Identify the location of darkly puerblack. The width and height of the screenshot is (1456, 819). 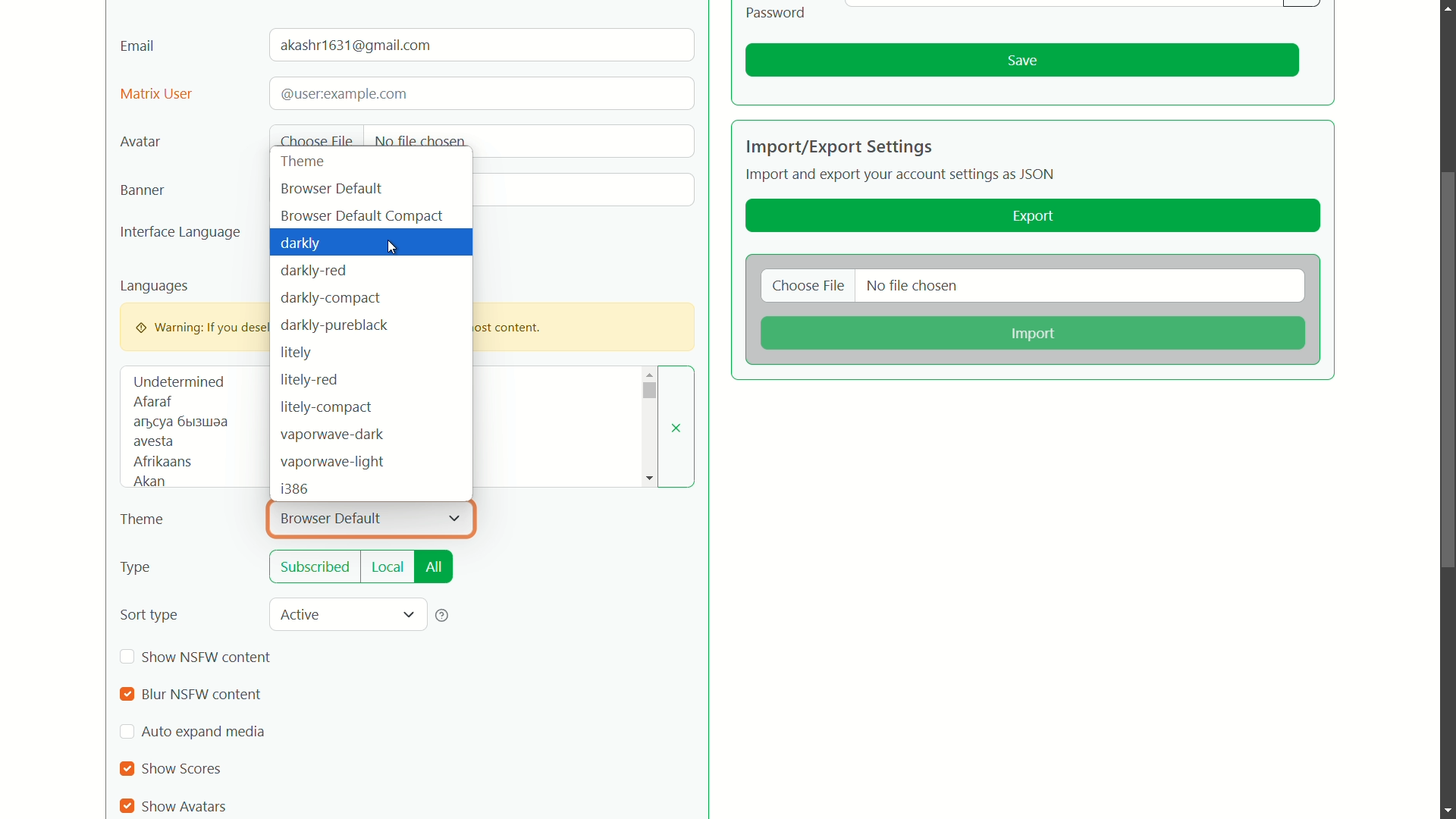
(333, 325).